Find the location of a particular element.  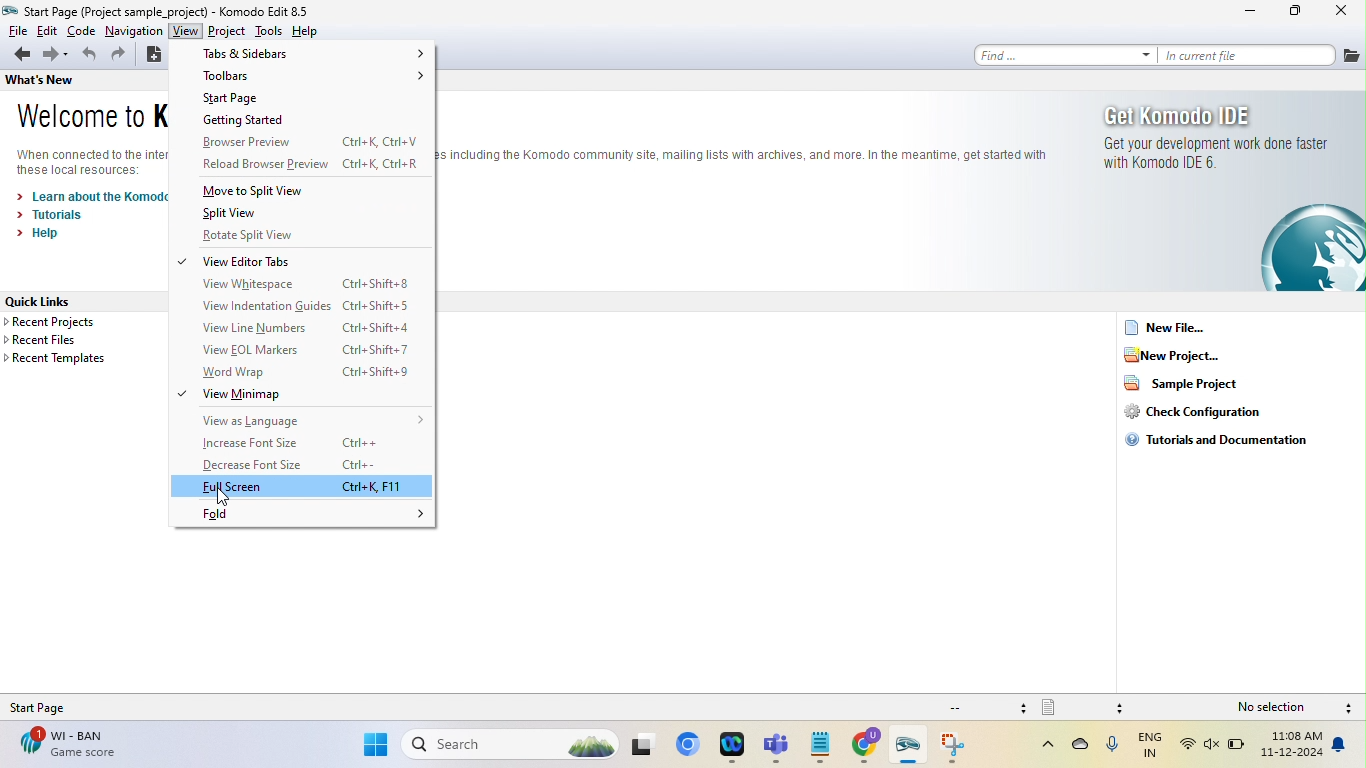

apps on taskbar is located at coordinates (912, 748).